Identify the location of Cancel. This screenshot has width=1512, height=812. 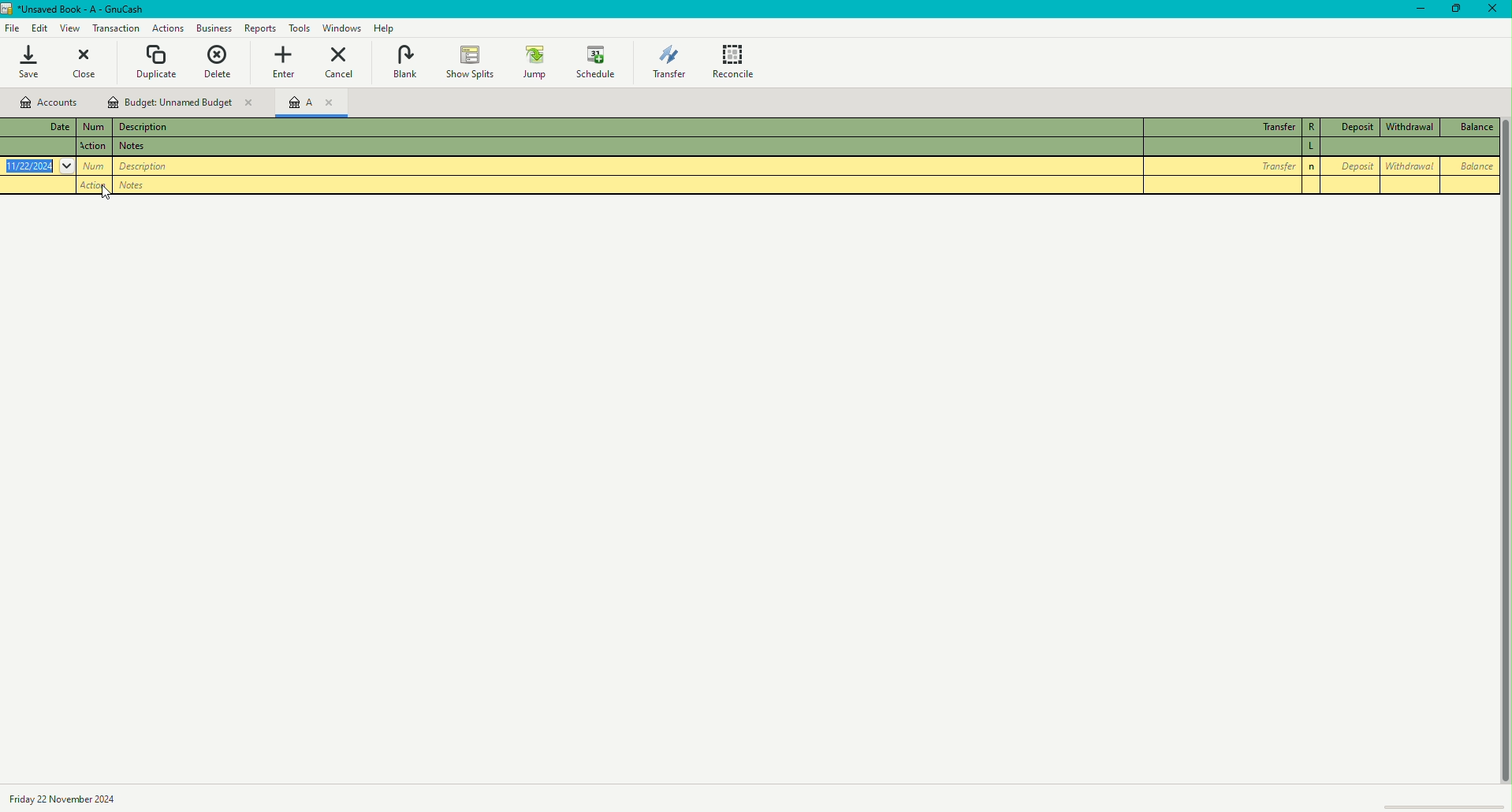
(340, 65).